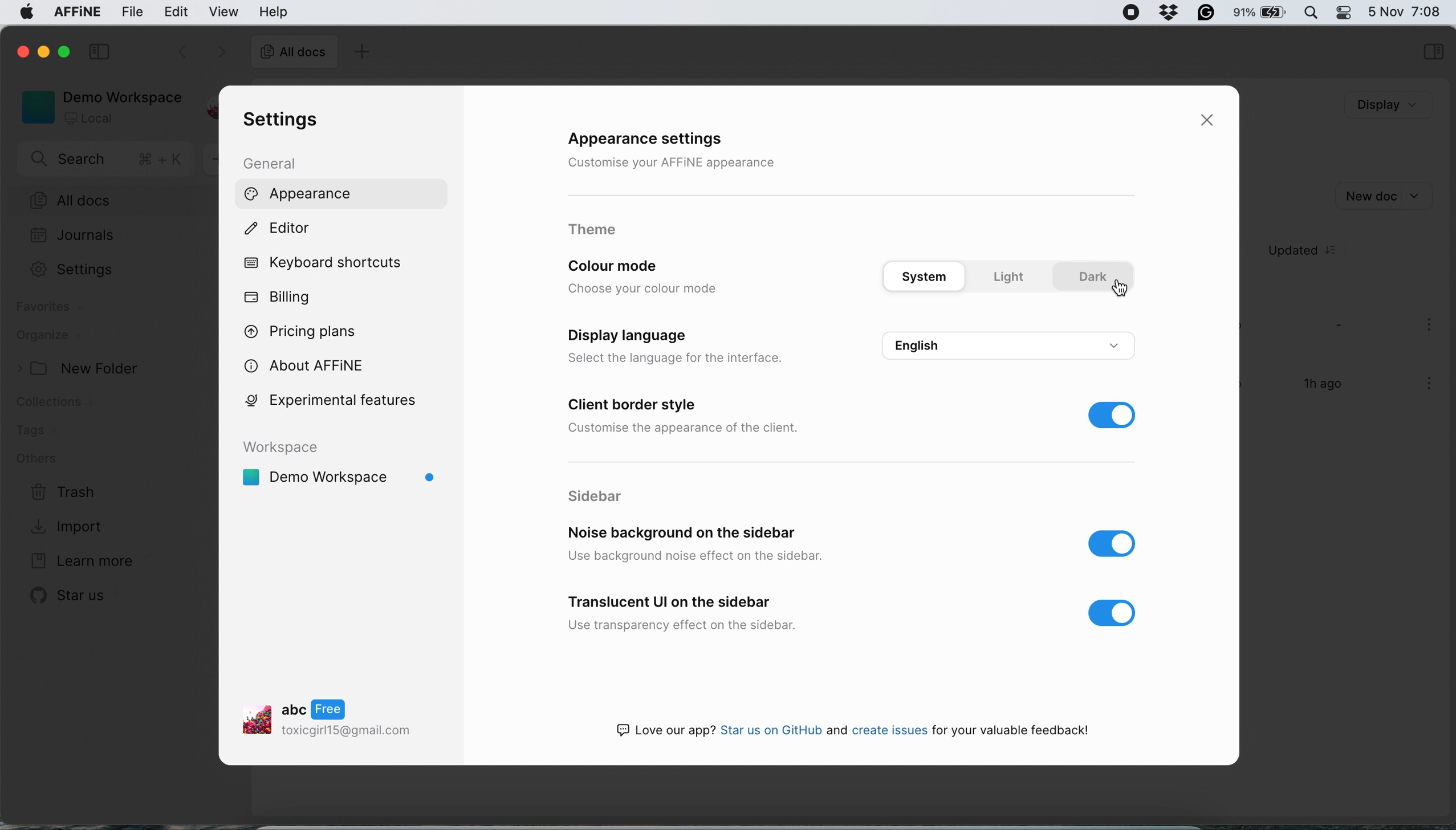 The image size is (1456, 830). I want to click on theme, so click(593, 229).